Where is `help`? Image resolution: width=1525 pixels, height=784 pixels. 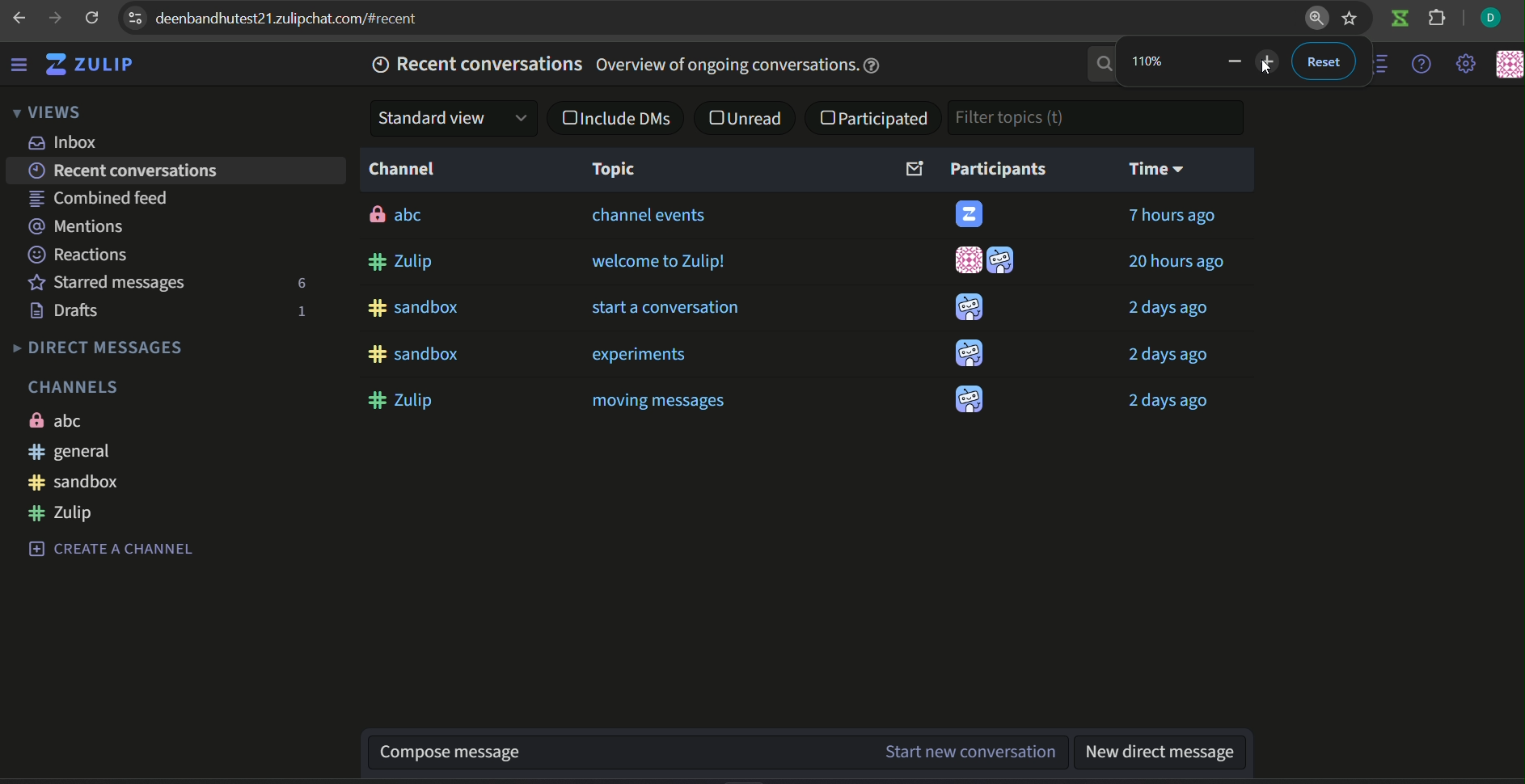 help is located at coordinates (1422, 65).